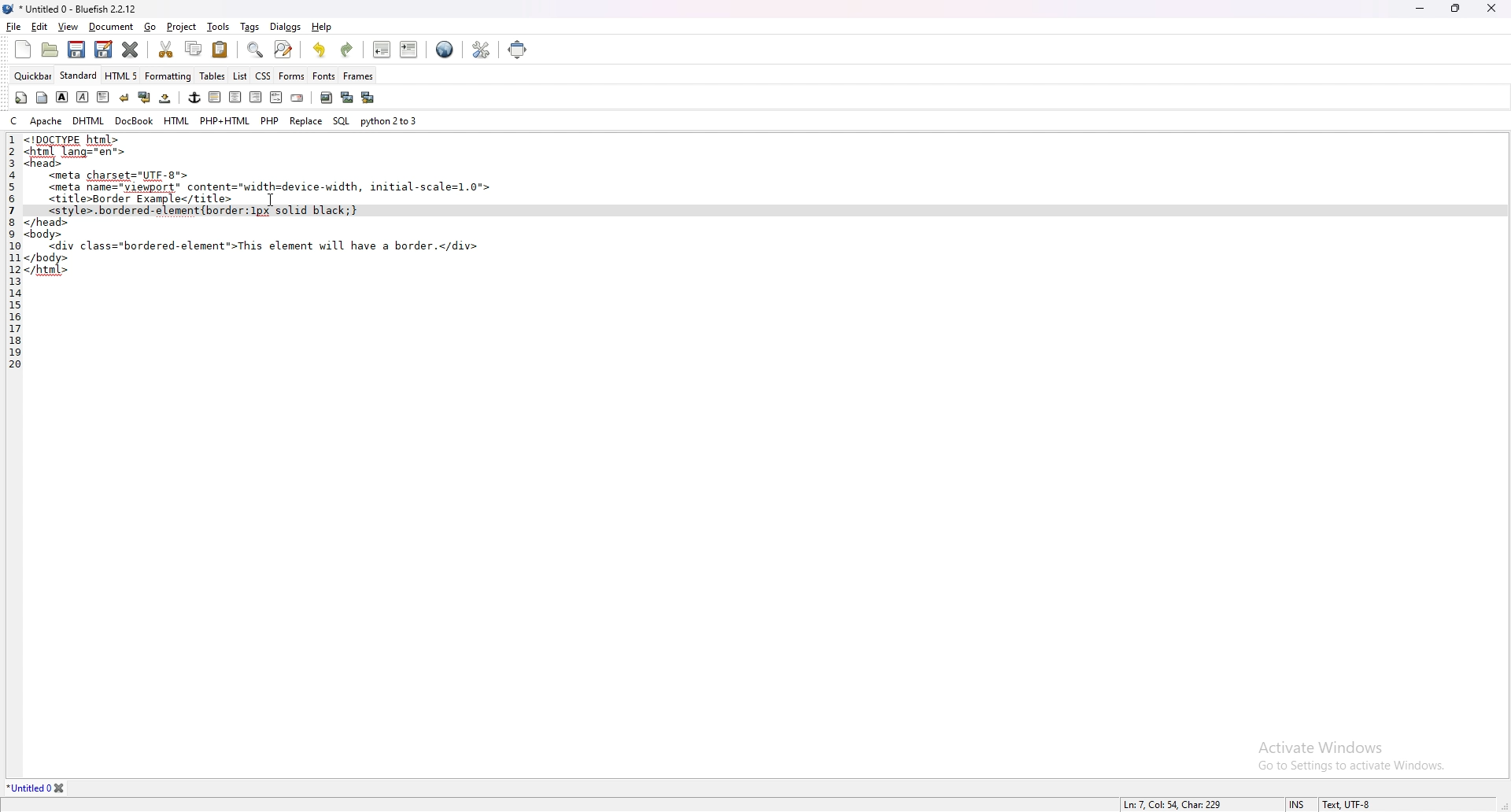 This screenshot has height=812, width=1511. What do you see at coordinates (166, 98) in the screenshot?
I see `non breaking space` at bounding box center [166, 98].